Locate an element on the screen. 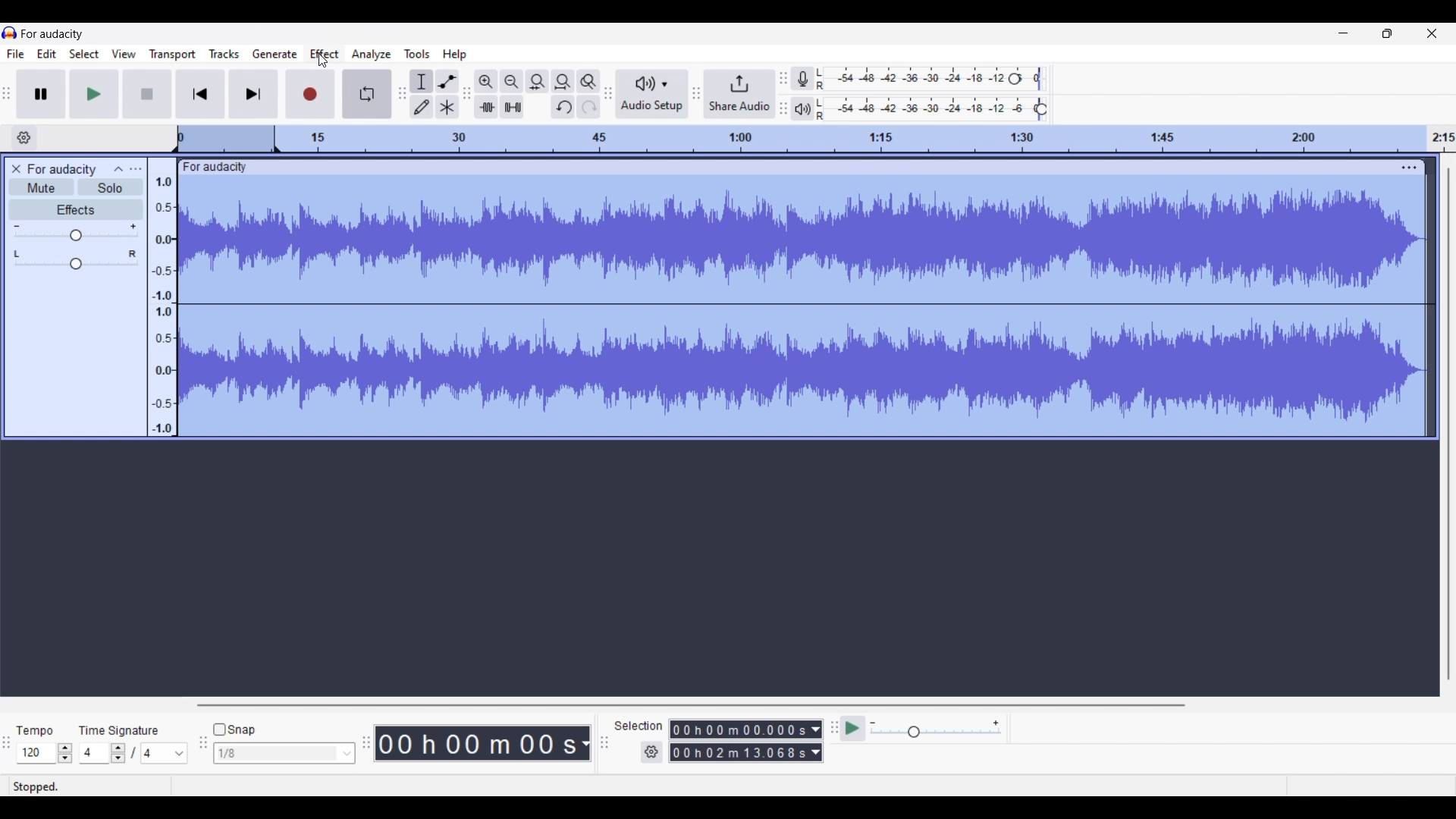  Skip/Select to start is located at coordinates (200, 94).